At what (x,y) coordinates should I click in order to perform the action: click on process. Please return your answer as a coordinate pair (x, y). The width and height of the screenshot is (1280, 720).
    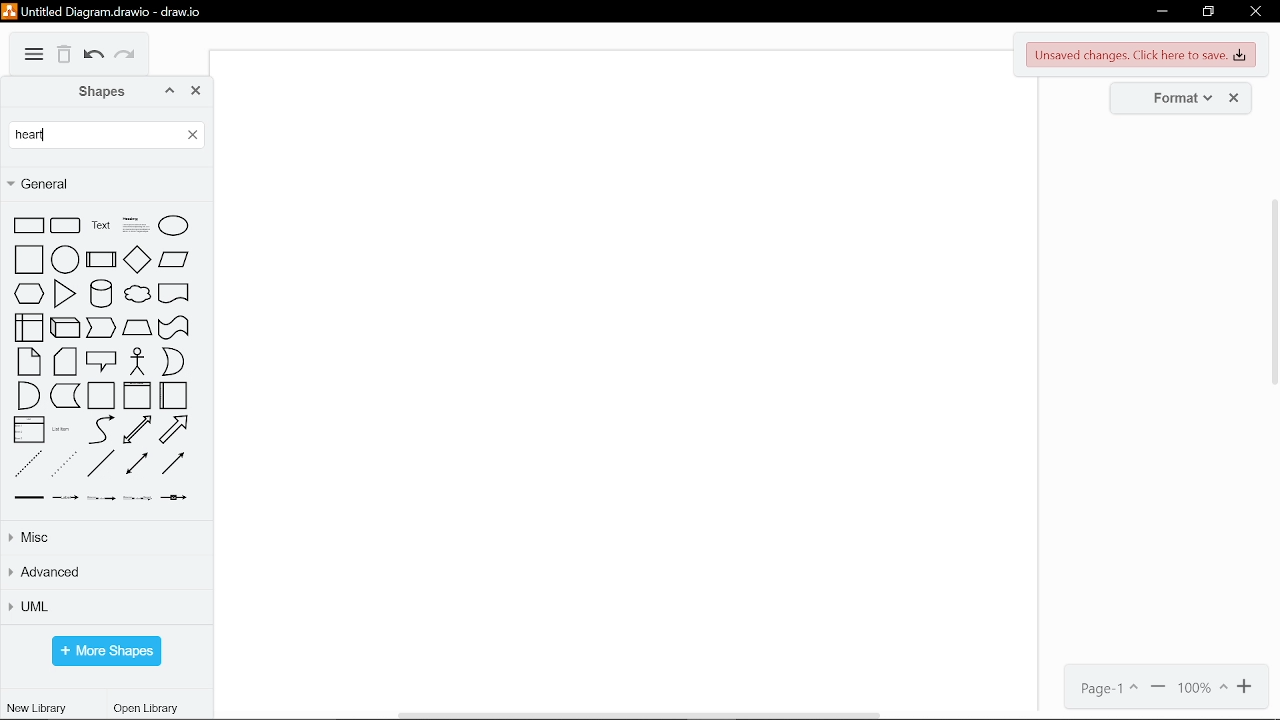
    Looking at the image, I should click on (100, 260).